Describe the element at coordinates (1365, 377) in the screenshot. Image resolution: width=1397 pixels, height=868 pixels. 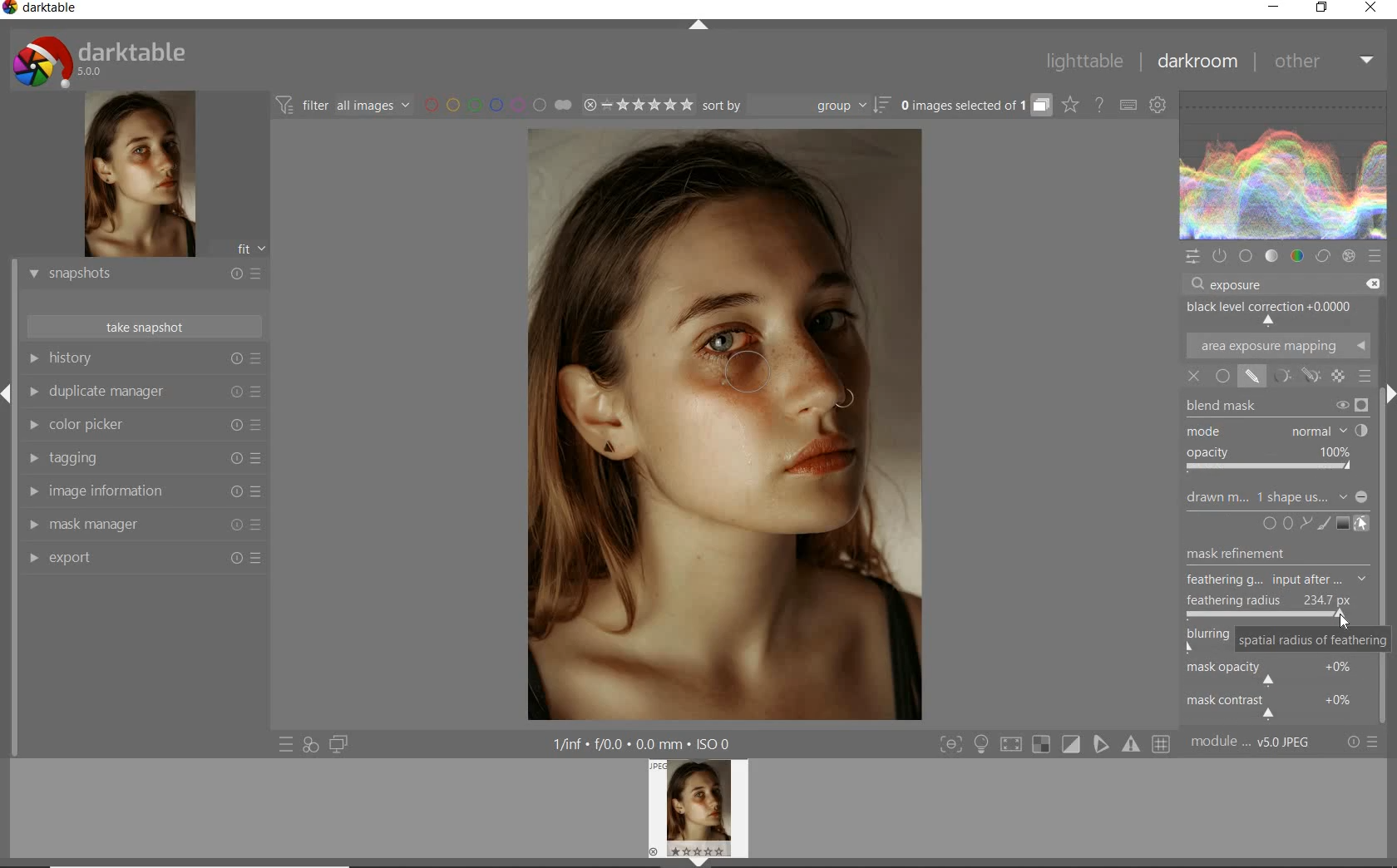
I see `BLENDING OPTIONS` at that location.